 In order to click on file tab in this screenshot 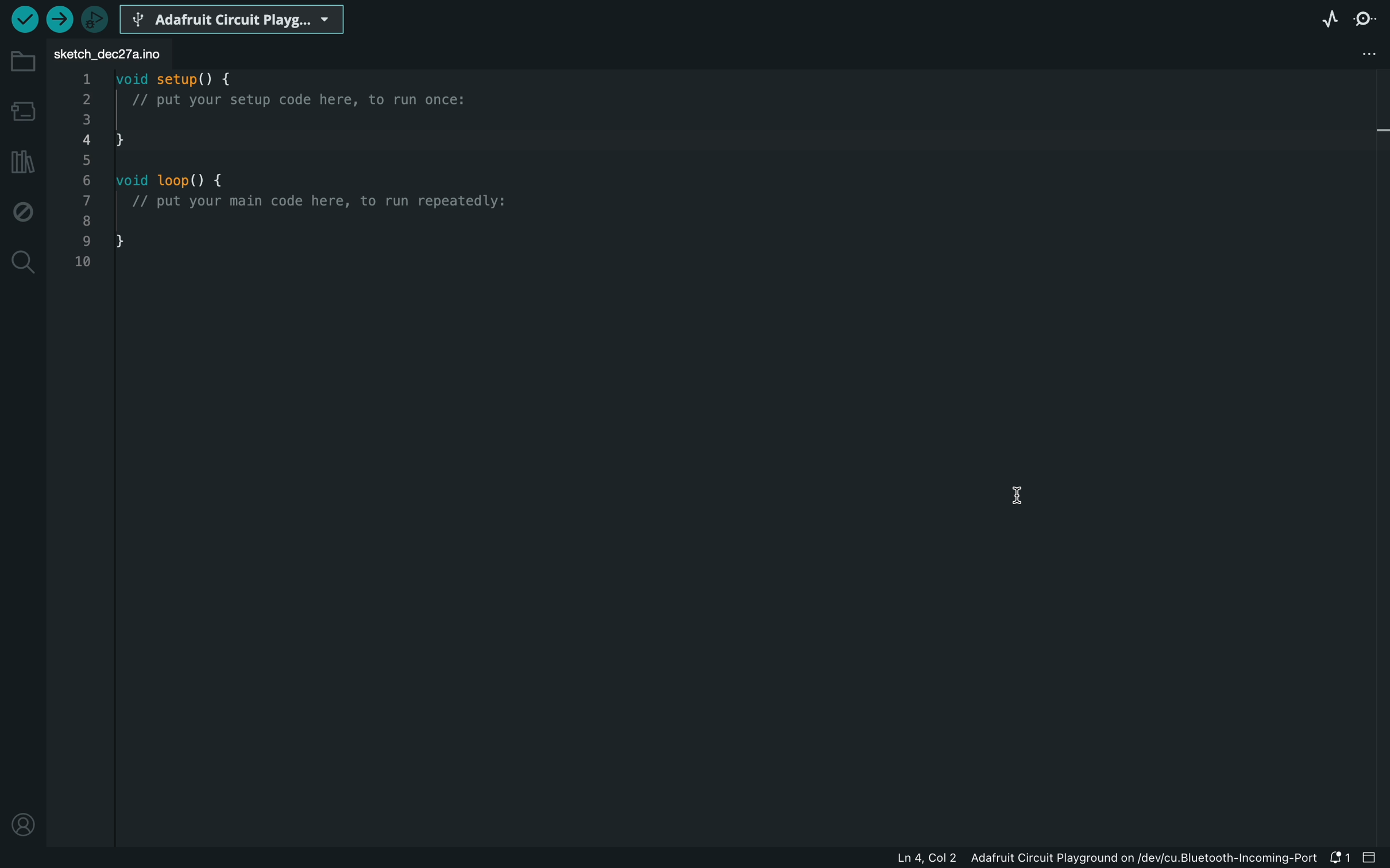, I will do `click(115, 56)`.